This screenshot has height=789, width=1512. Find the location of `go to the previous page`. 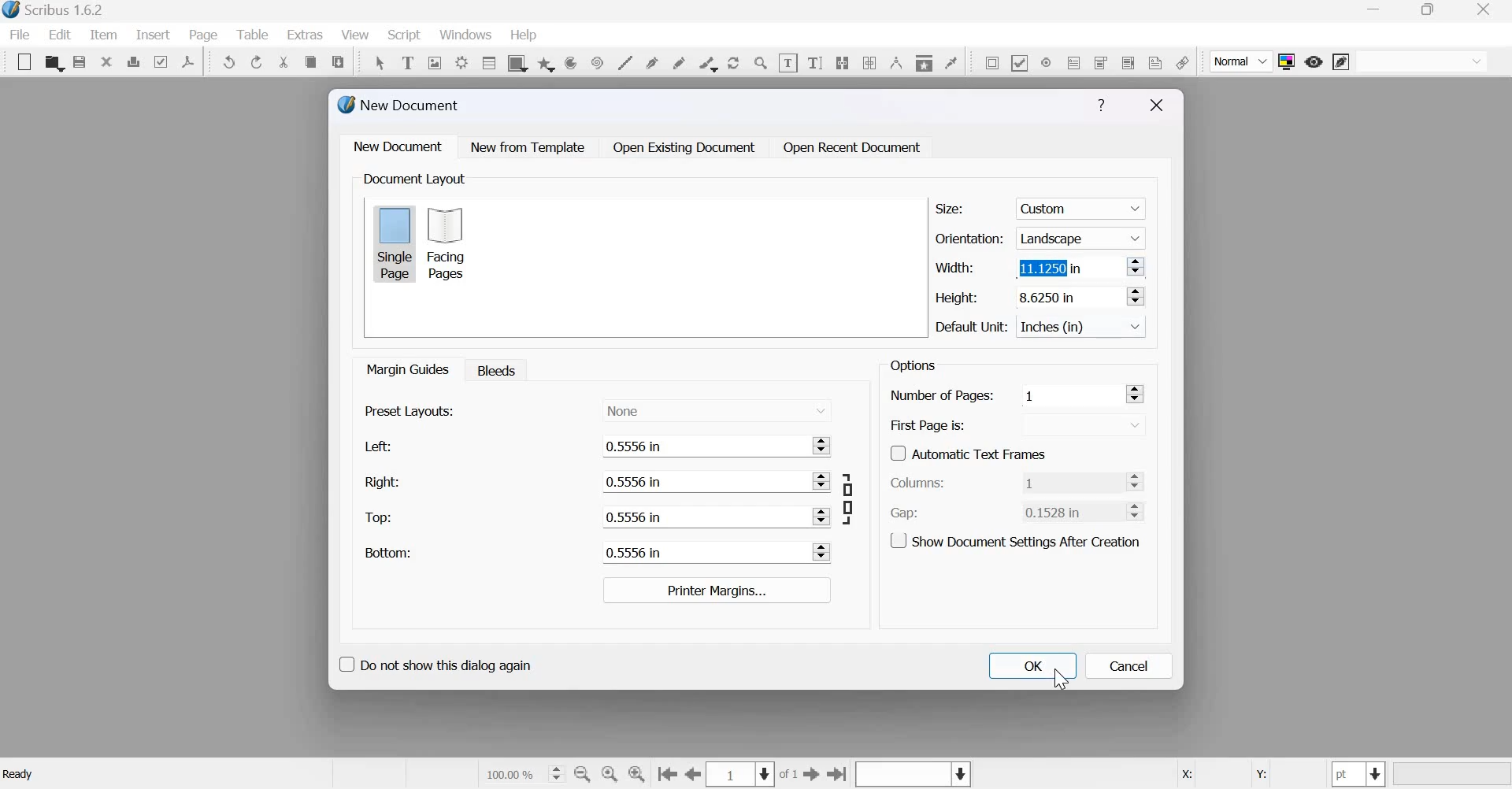

go to the previous page is located at coordinates (694, 774).